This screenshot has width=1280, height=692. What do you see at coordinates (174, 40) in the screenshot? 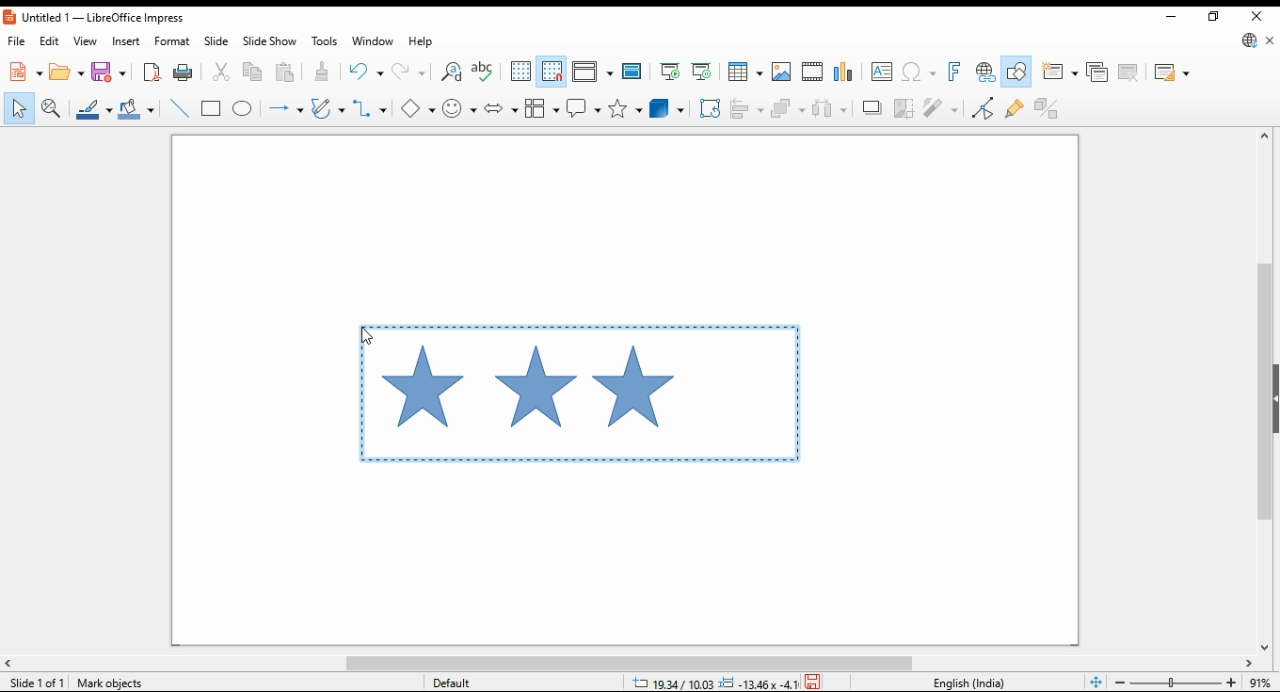
I see `format` at bounding box center [174, 40].